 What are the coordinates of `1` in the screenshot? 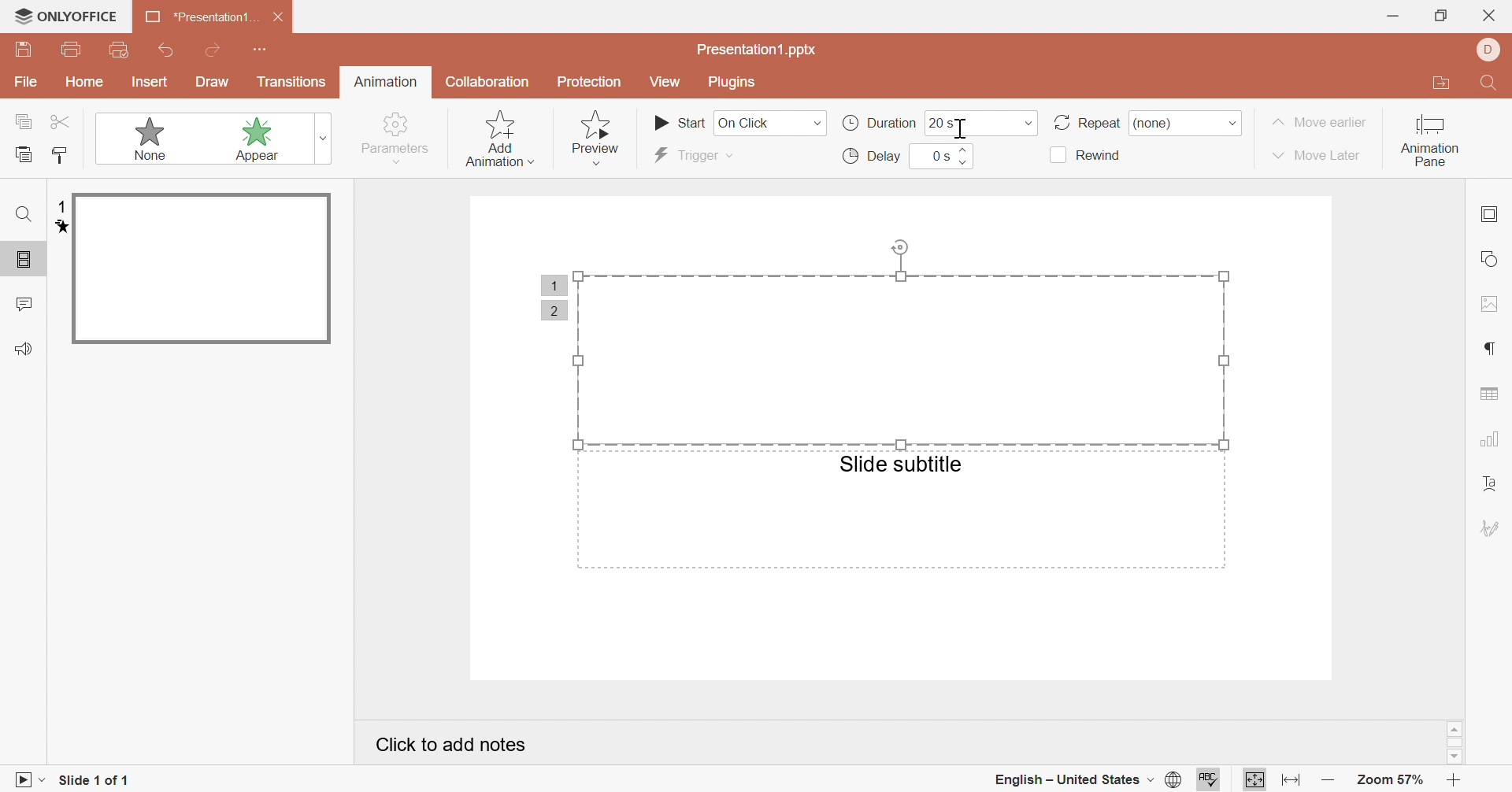 It's located at (61, 207).